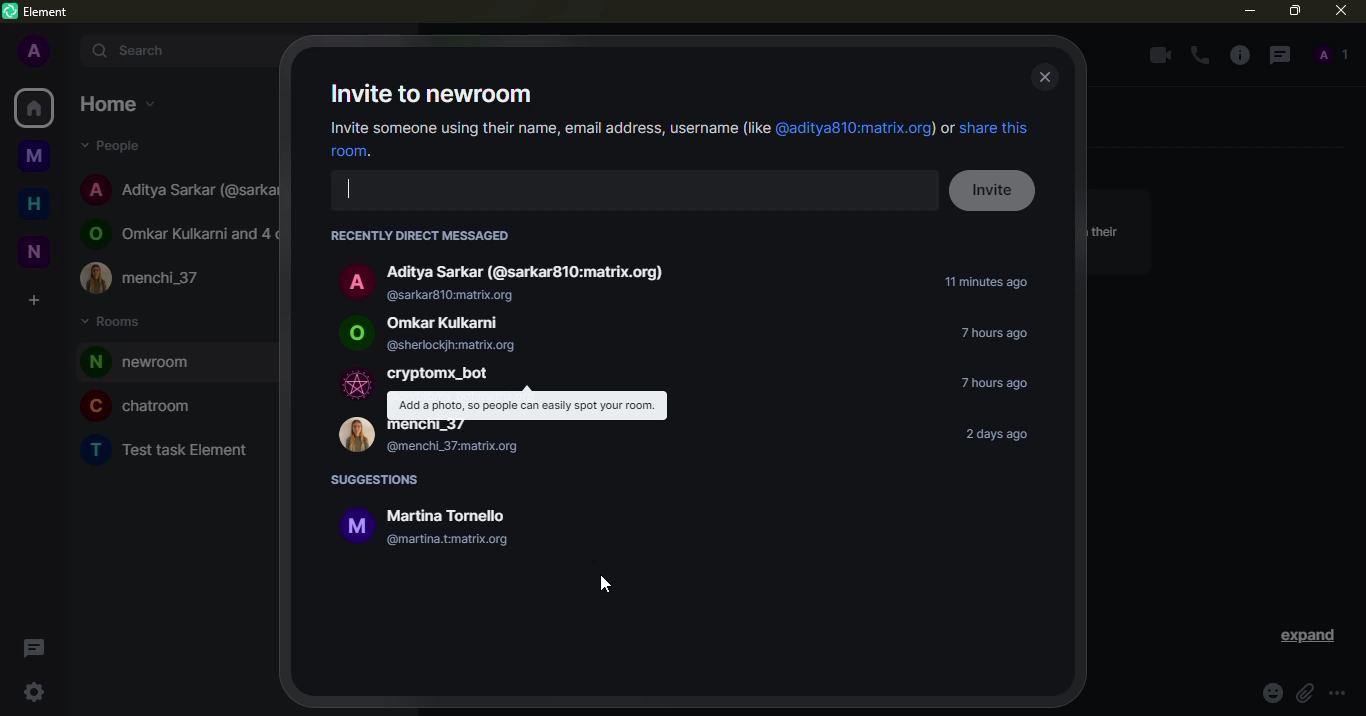 Image resolution: width=1366 pixels, height=716 pixels. What do you see at coordinates (614, 191) in the screenshot?
I see `search` at bounding box center [614, 191].